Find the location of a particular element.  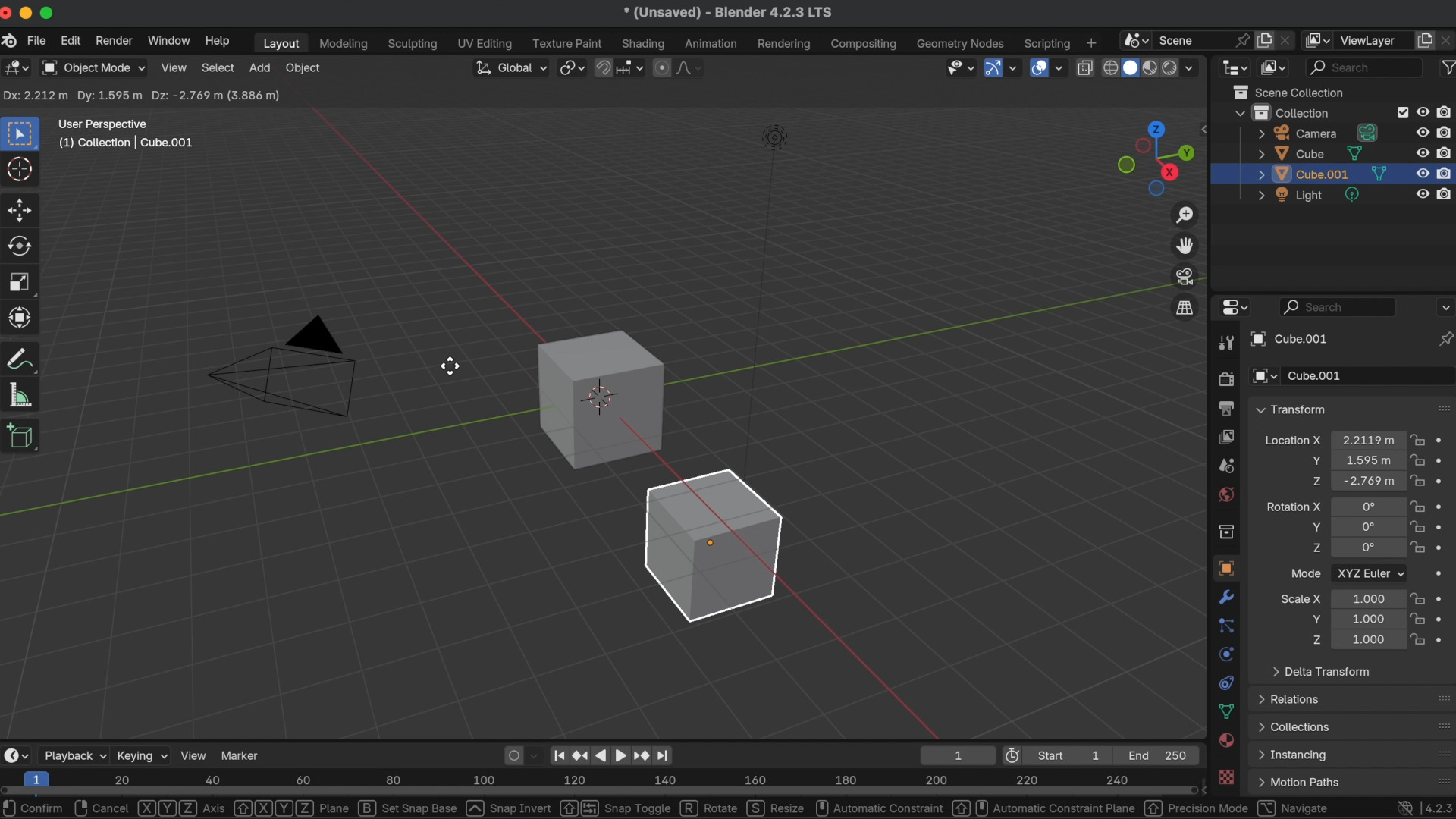

collection is located at coordinates (1225, 532).